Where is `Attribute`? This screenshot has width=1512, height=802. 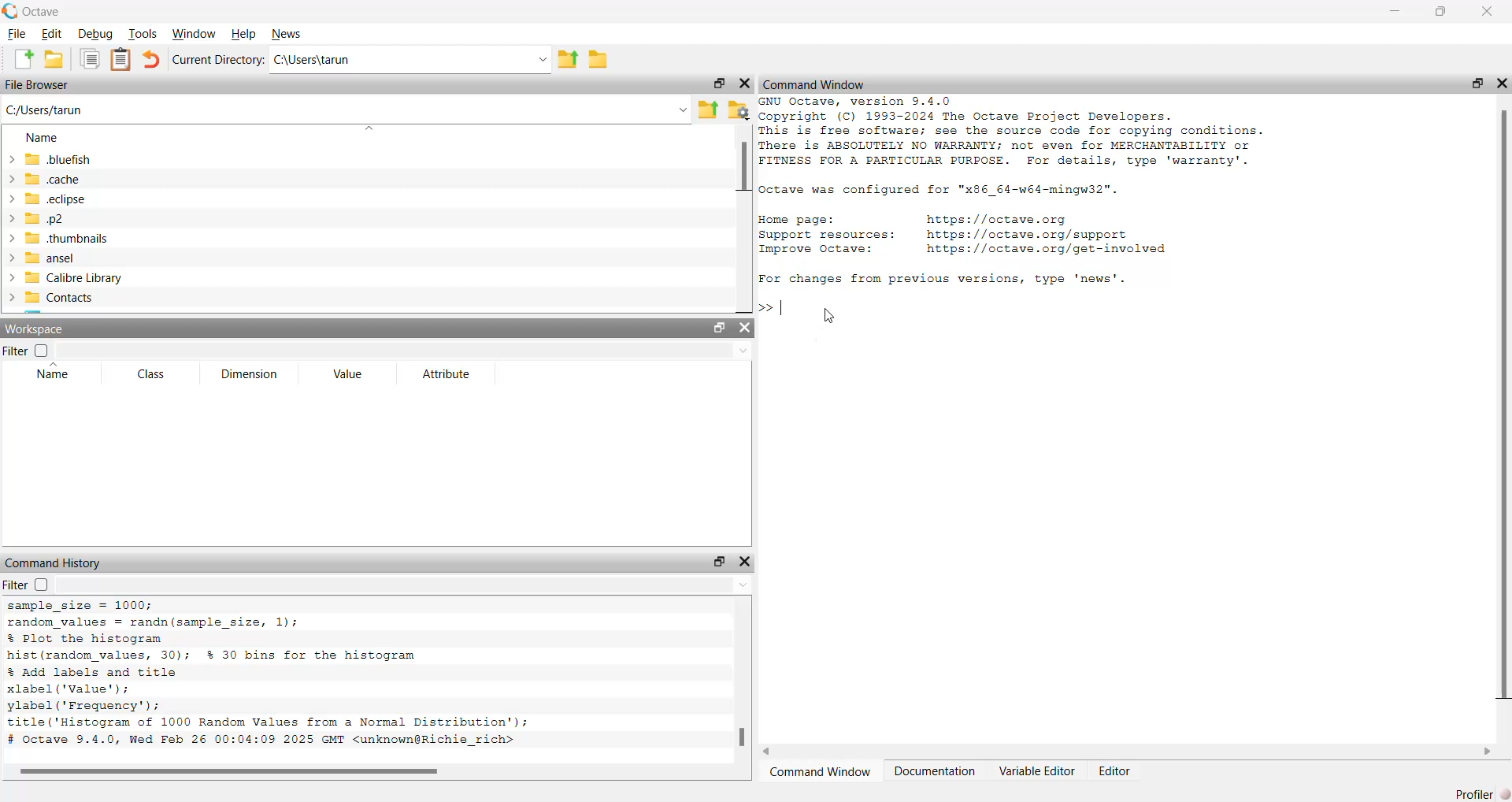
Attribute is located at coordinates (447, 373).